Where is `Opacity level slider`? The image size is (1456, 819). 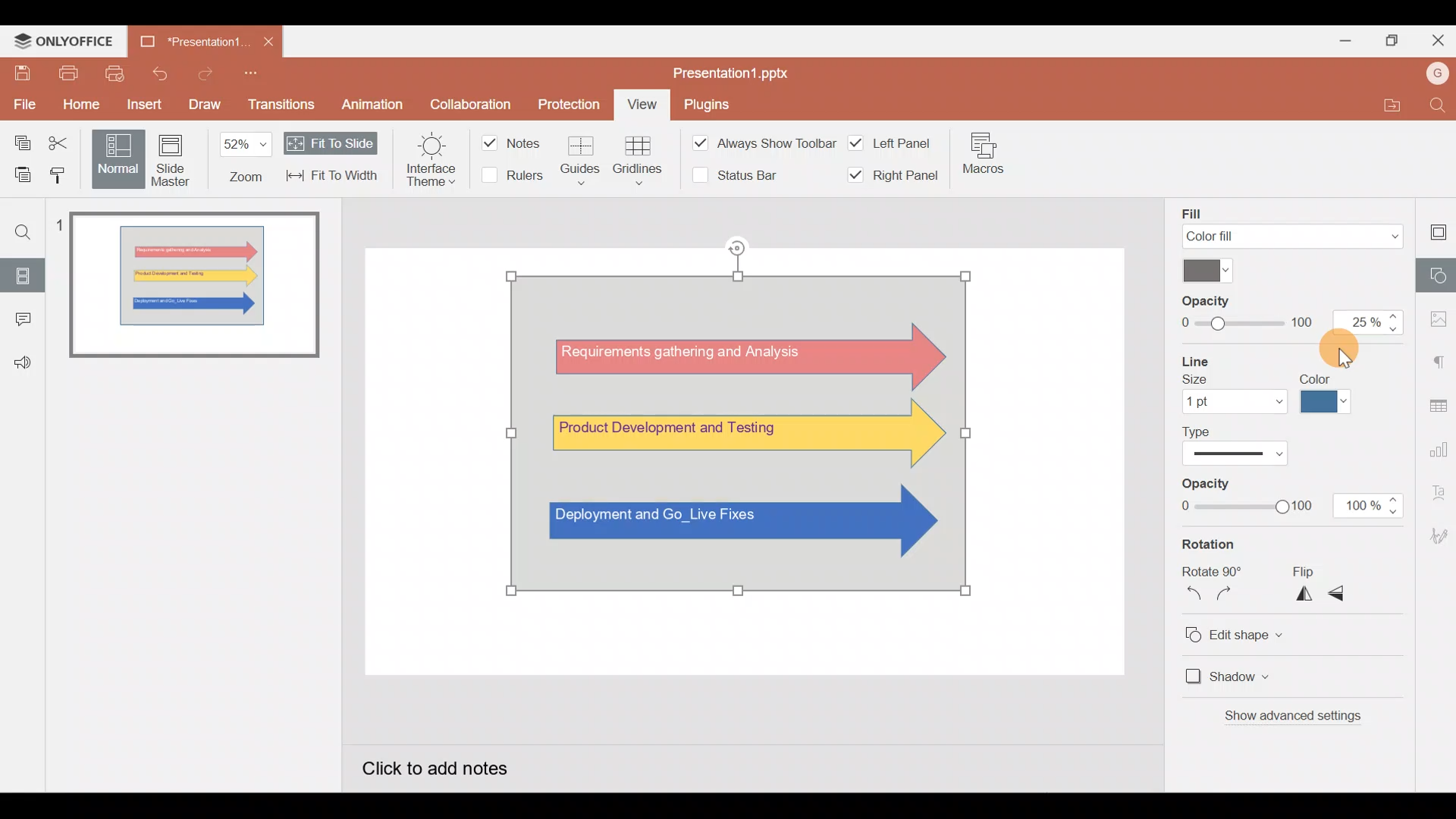 Opacity level slider is located at coordinates (1244, 497).